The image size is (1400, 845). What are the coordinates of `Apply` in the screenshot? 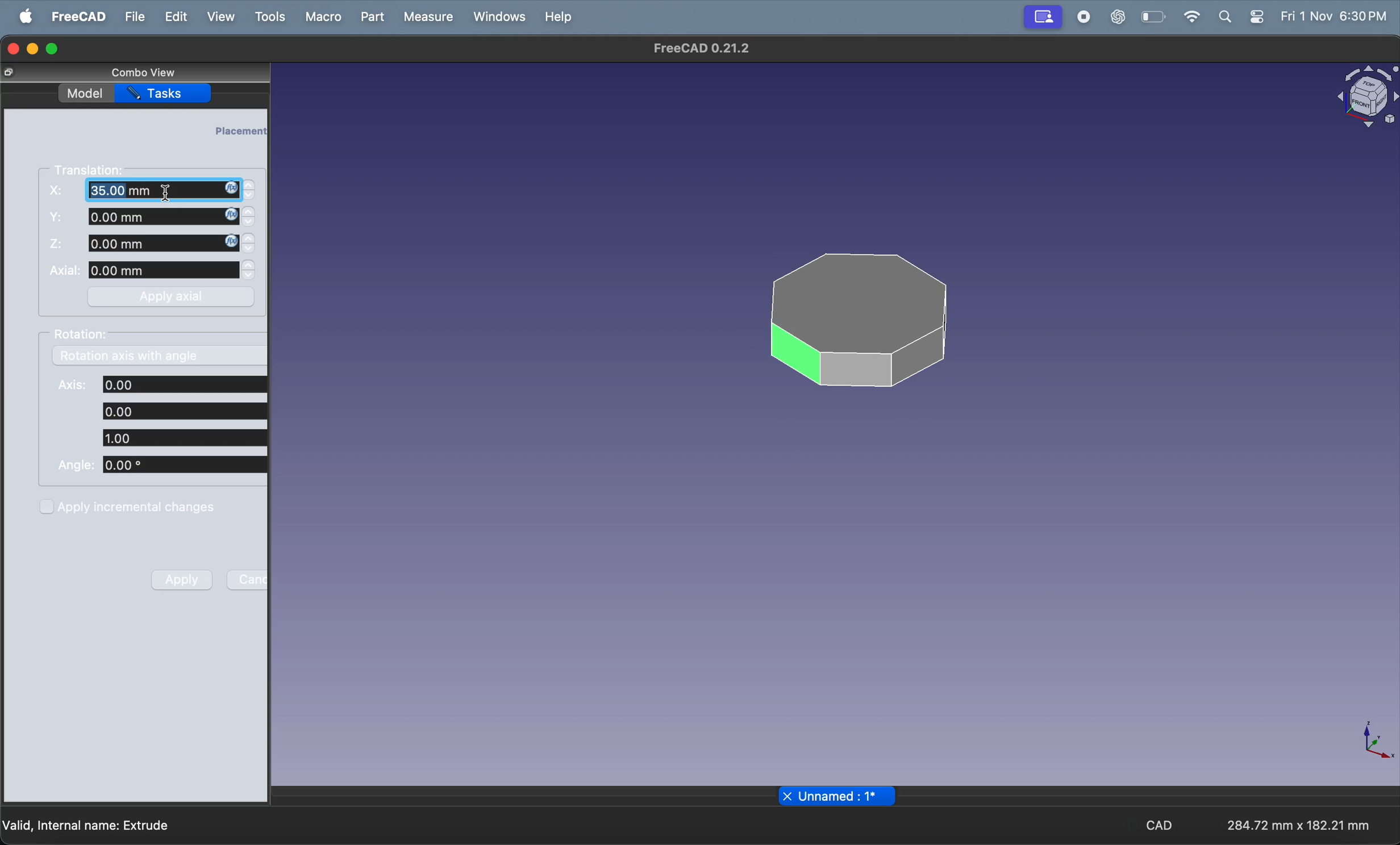 It's located at (182, 579).